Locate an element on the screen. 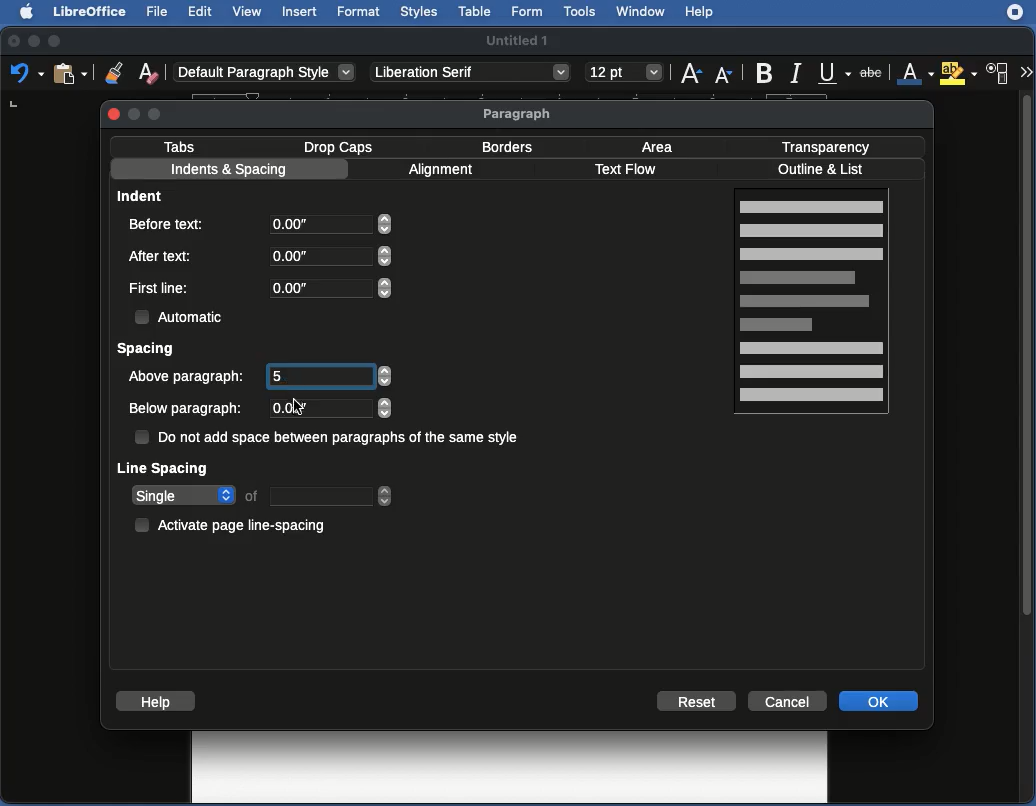  Do not add space between paragraphs of the same style is located at coordinates (330, 439).